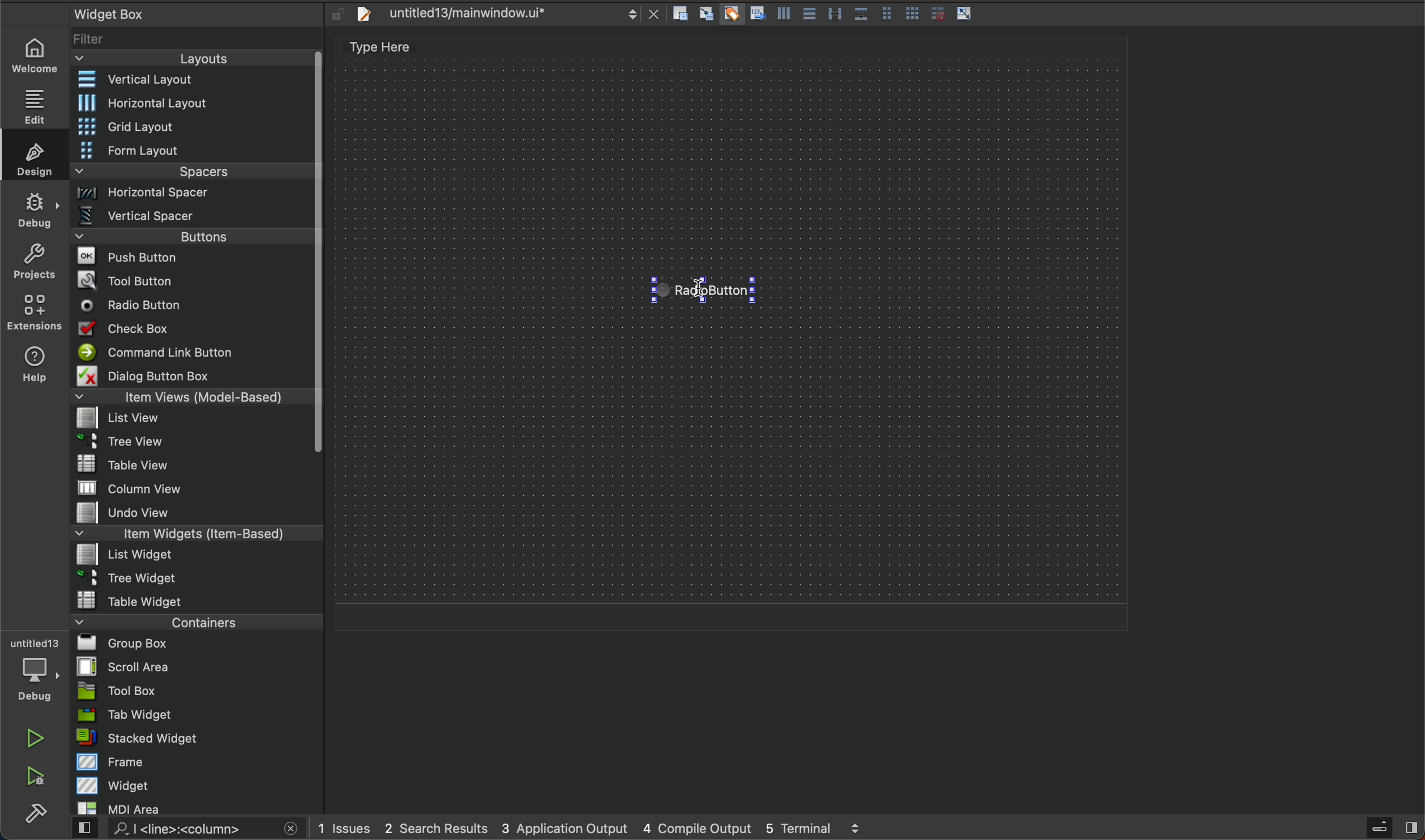 The image size is (1425, 840). Describe the element at coordinates (181, 13) in the screenshot. I see `widget box` at that location.